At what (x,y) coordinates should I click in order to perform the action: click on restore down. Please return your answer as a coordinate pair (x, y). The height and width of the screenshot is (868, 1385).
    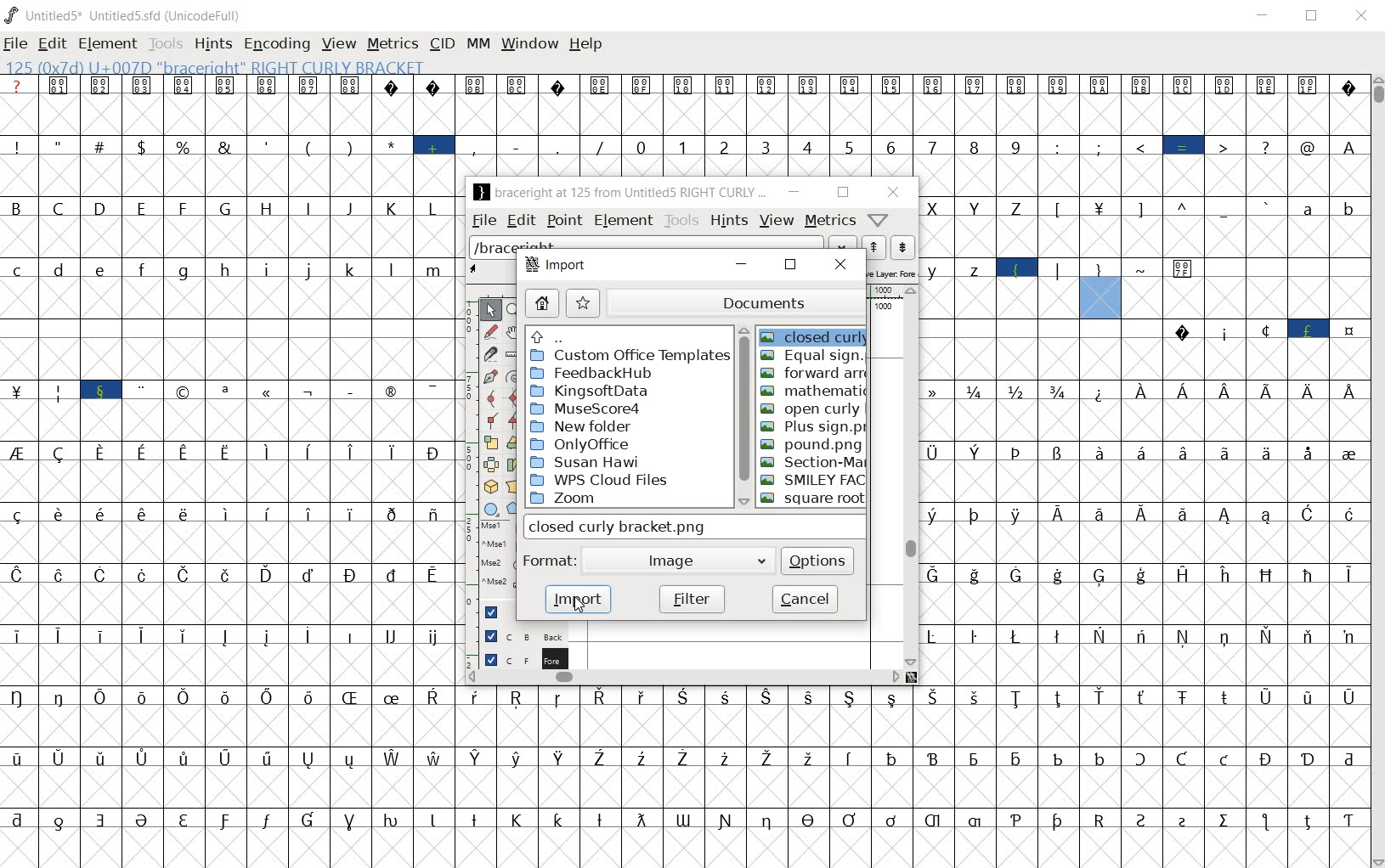
    Looking at the image, I should click on (793, 266).